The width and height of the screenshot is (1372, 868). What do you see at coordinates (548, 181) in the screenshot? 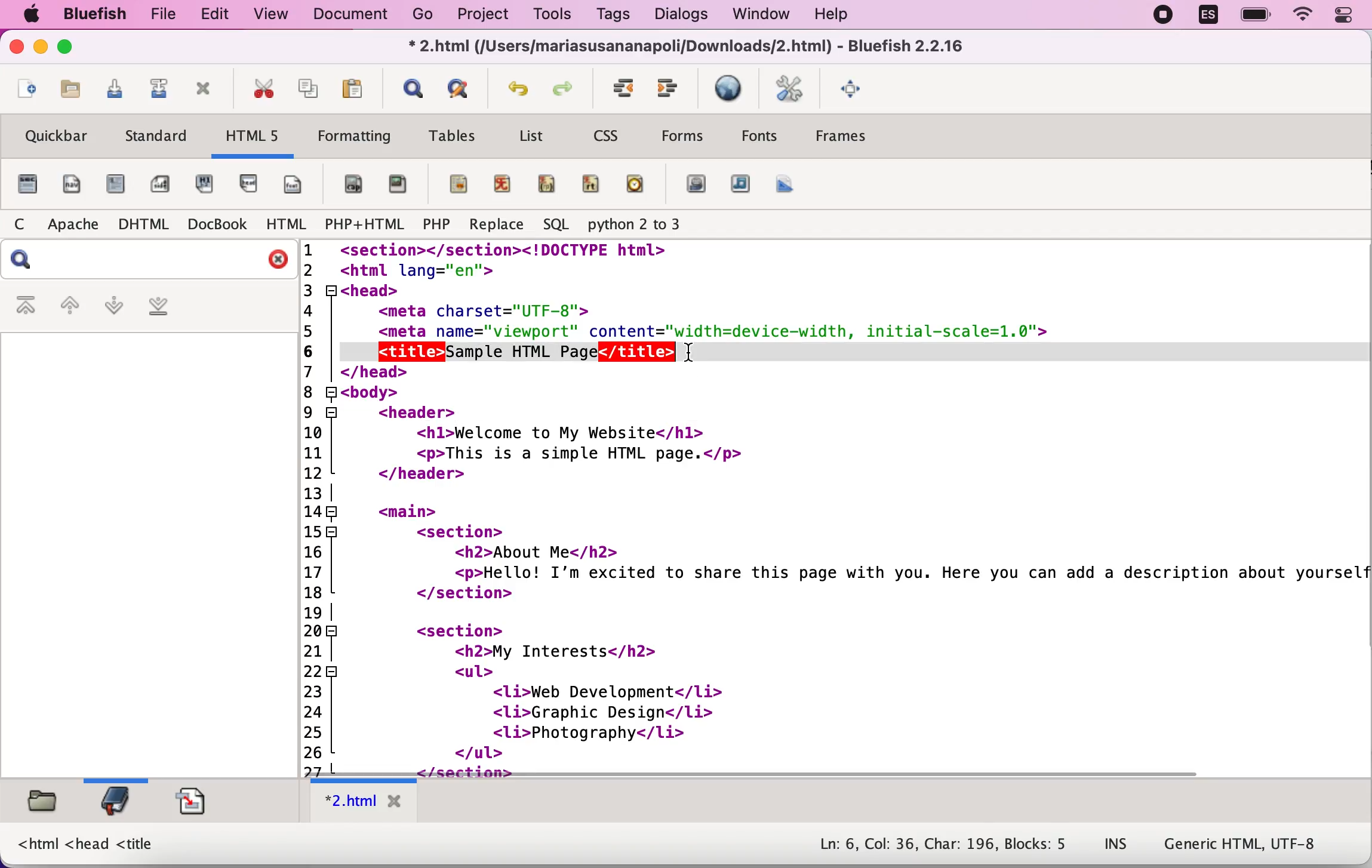
I see `ruby parenthesis` at bounding box center [548, 181].